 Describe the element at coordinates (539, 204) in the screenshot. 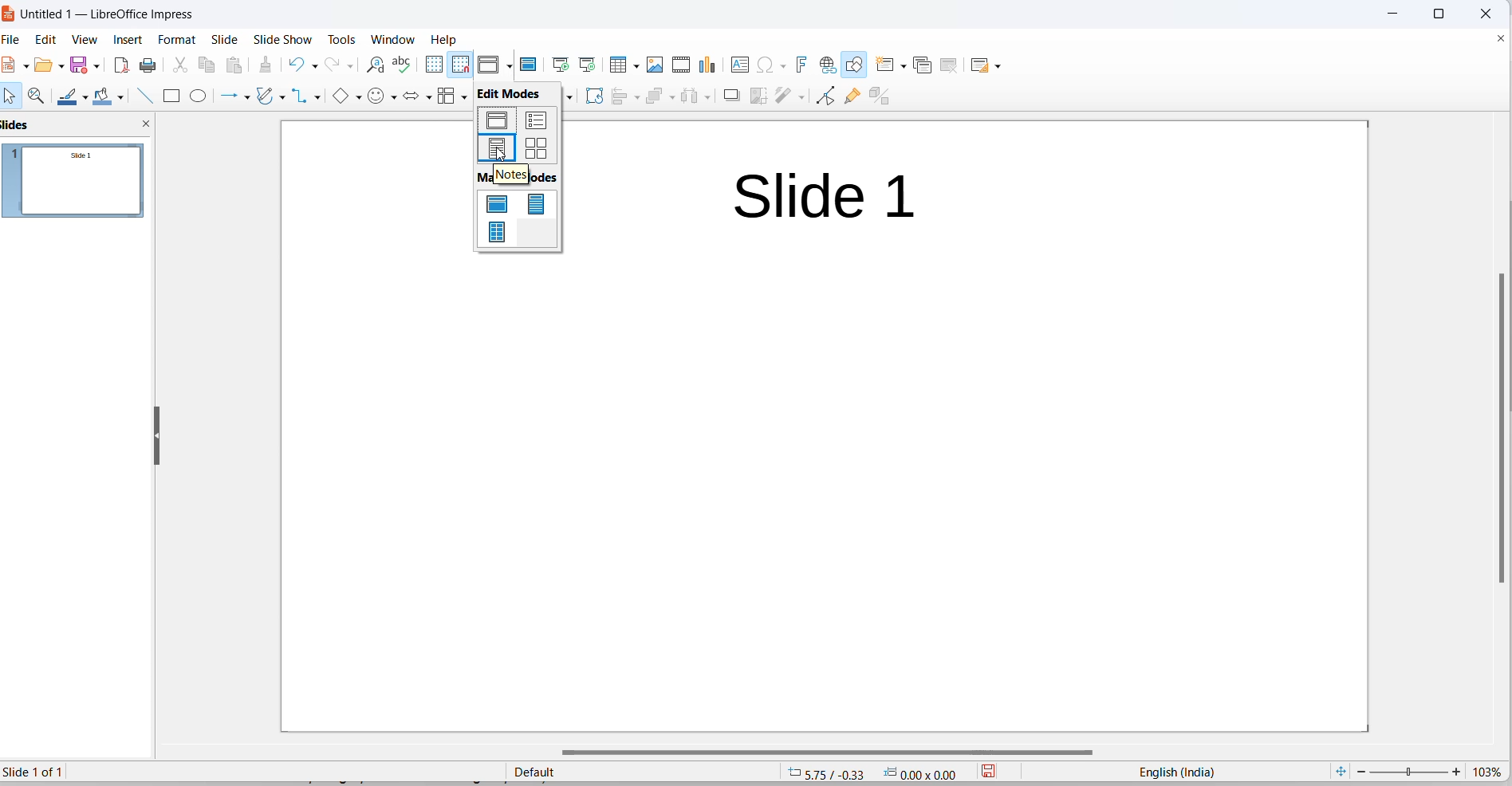

I see `master notes` at that location.